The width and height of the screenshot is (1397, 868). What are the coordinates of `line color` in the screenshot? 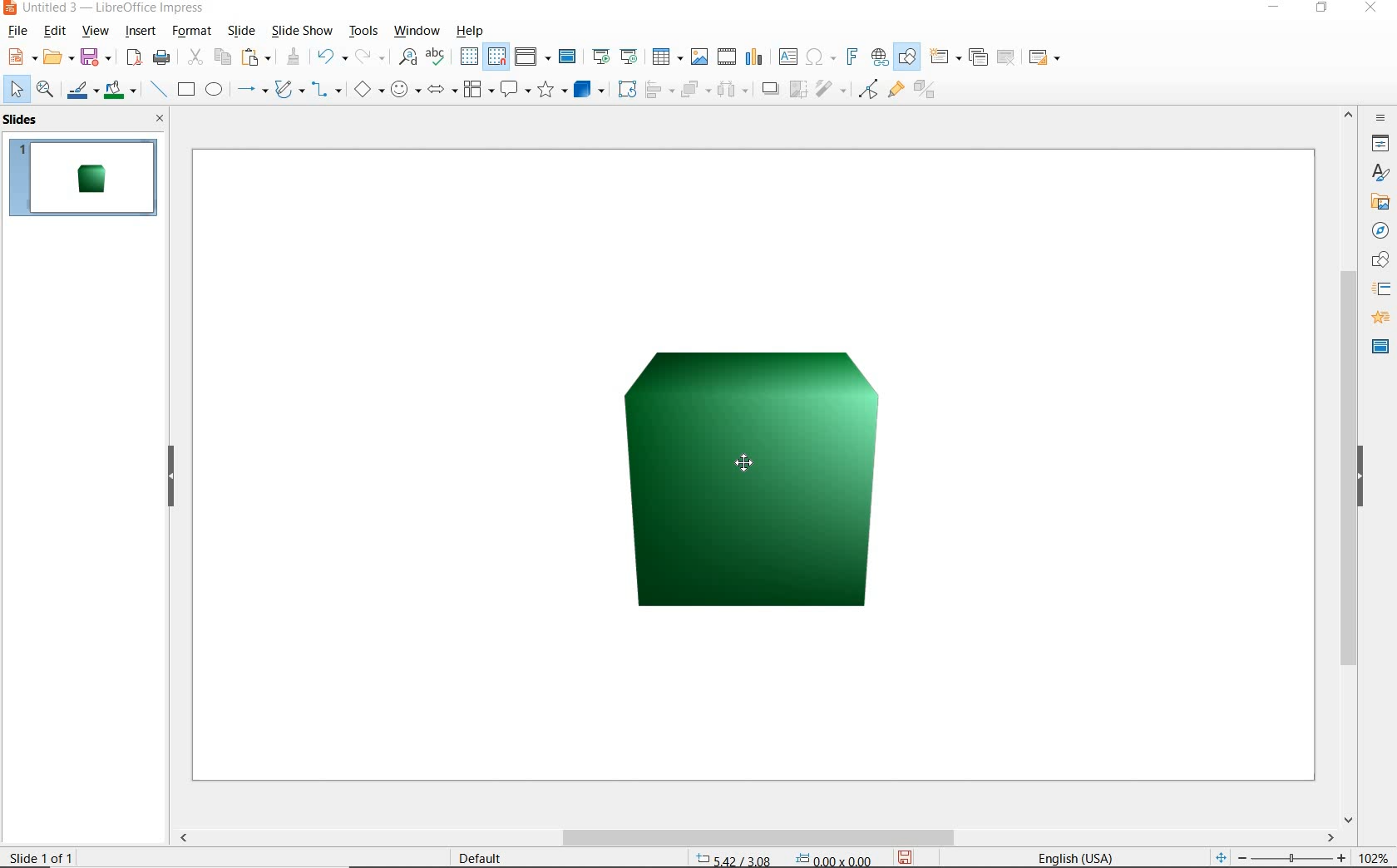 It's located at (81, 91).